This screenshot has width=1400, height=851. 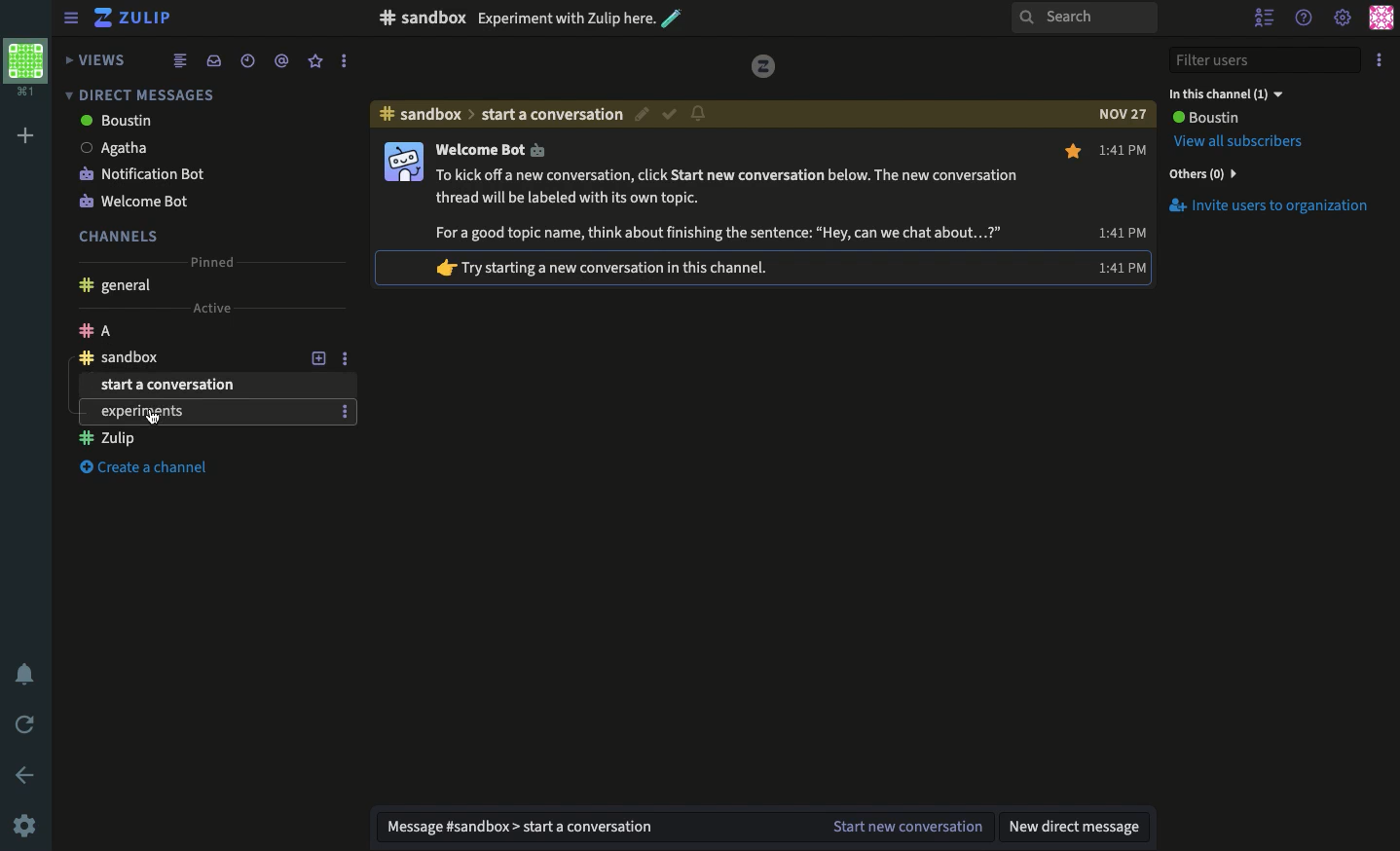 I want to click on Invite users, so click(x=1268, y=205).